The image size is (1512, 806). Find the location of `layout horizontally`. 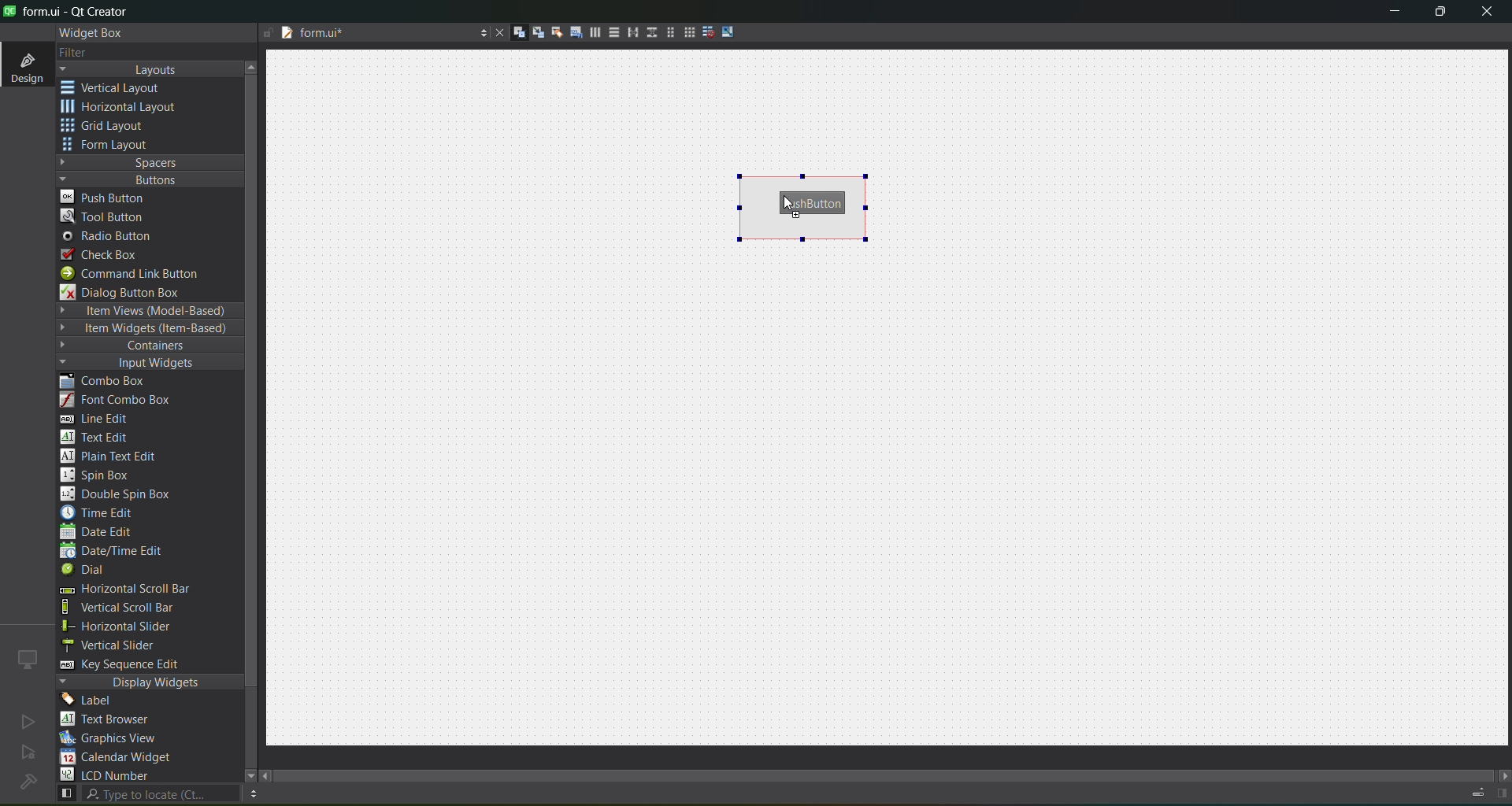

layout horizontally is located at coordinates (590, 35).